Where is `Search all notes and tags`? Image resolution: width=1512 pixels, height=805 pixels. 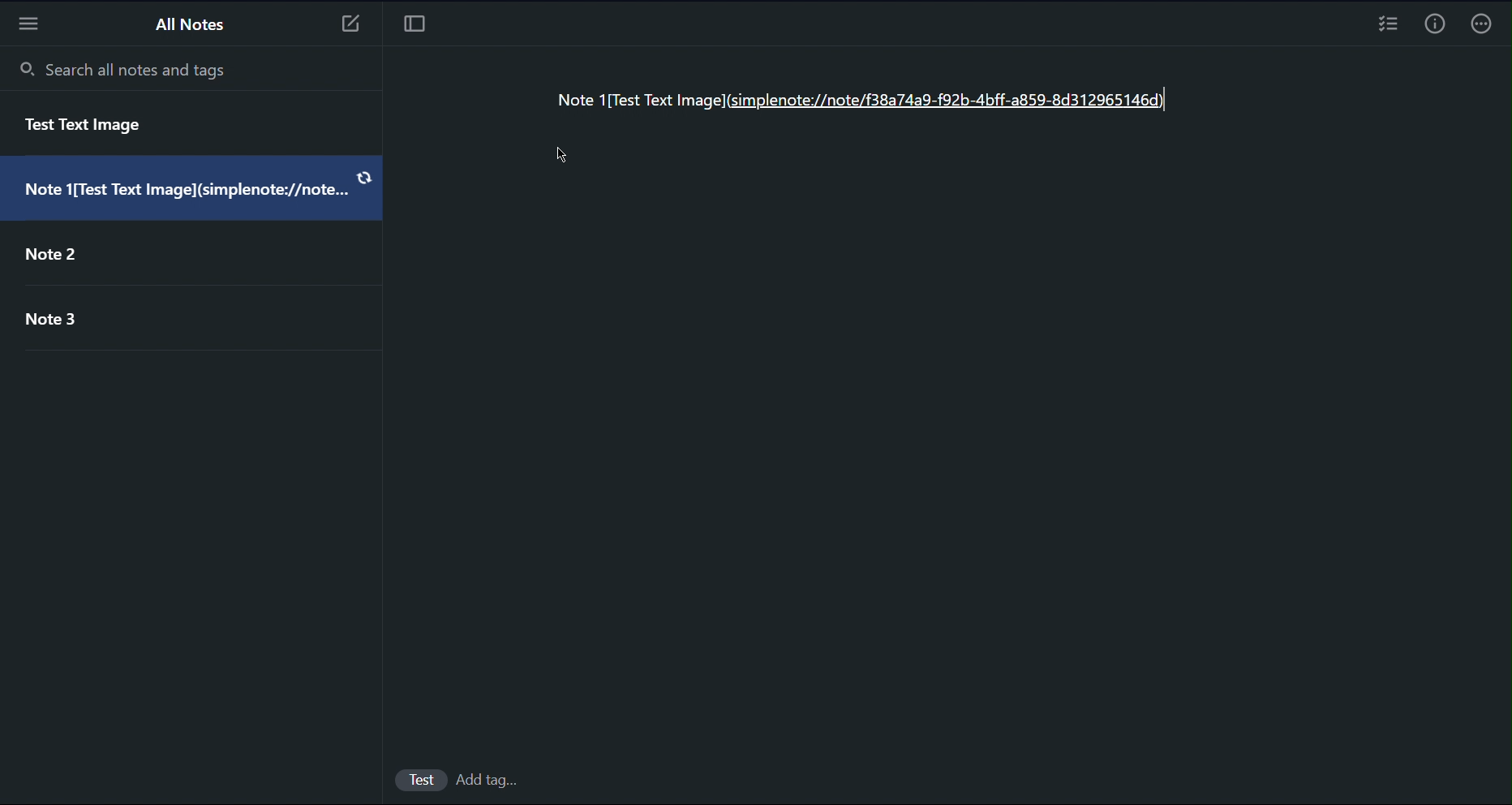
Search all notes and tags is located at coordinates (123, 68).